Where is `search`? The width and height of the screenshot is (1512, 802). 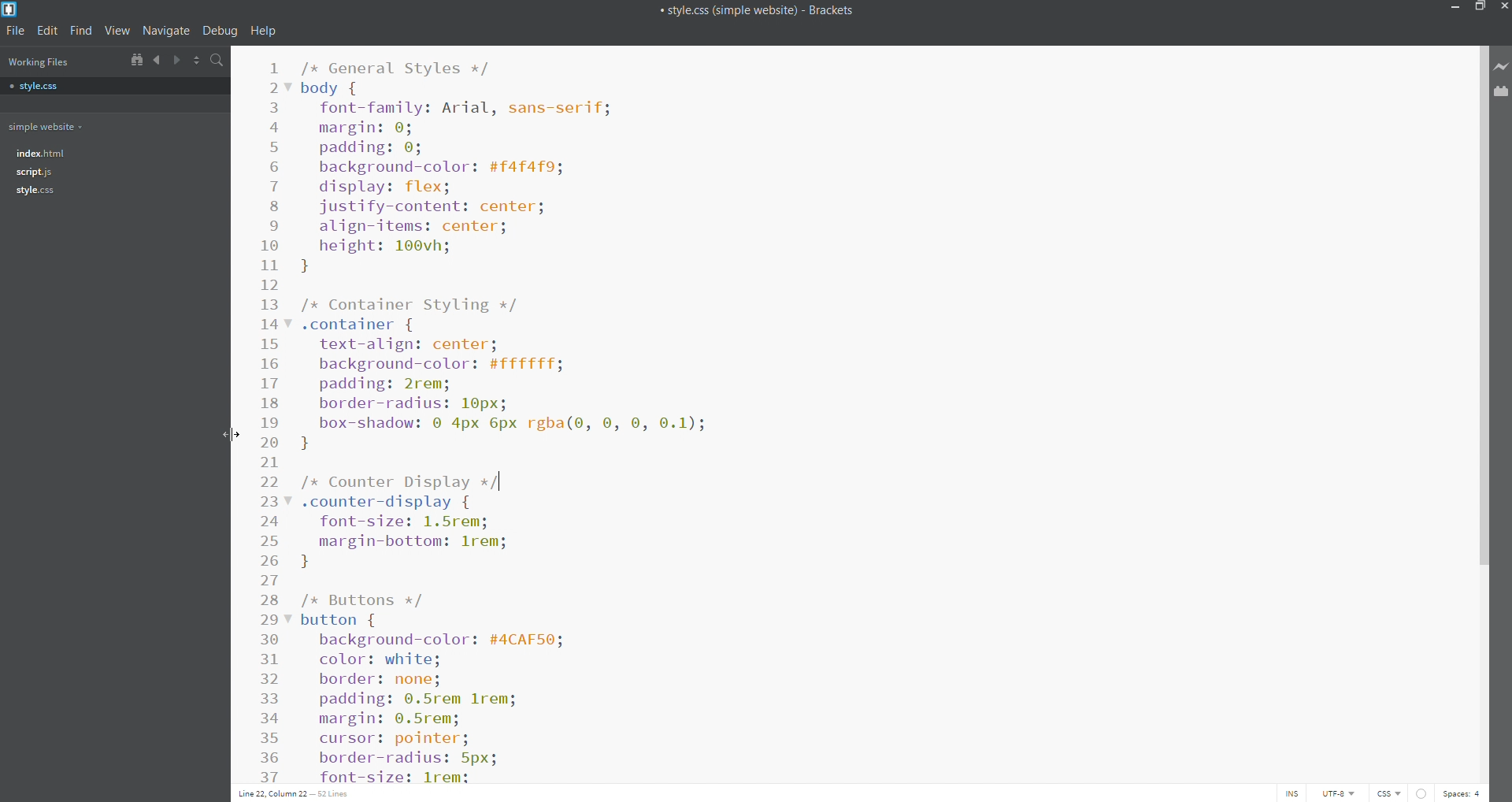 search is located at coordinates (217, 61).